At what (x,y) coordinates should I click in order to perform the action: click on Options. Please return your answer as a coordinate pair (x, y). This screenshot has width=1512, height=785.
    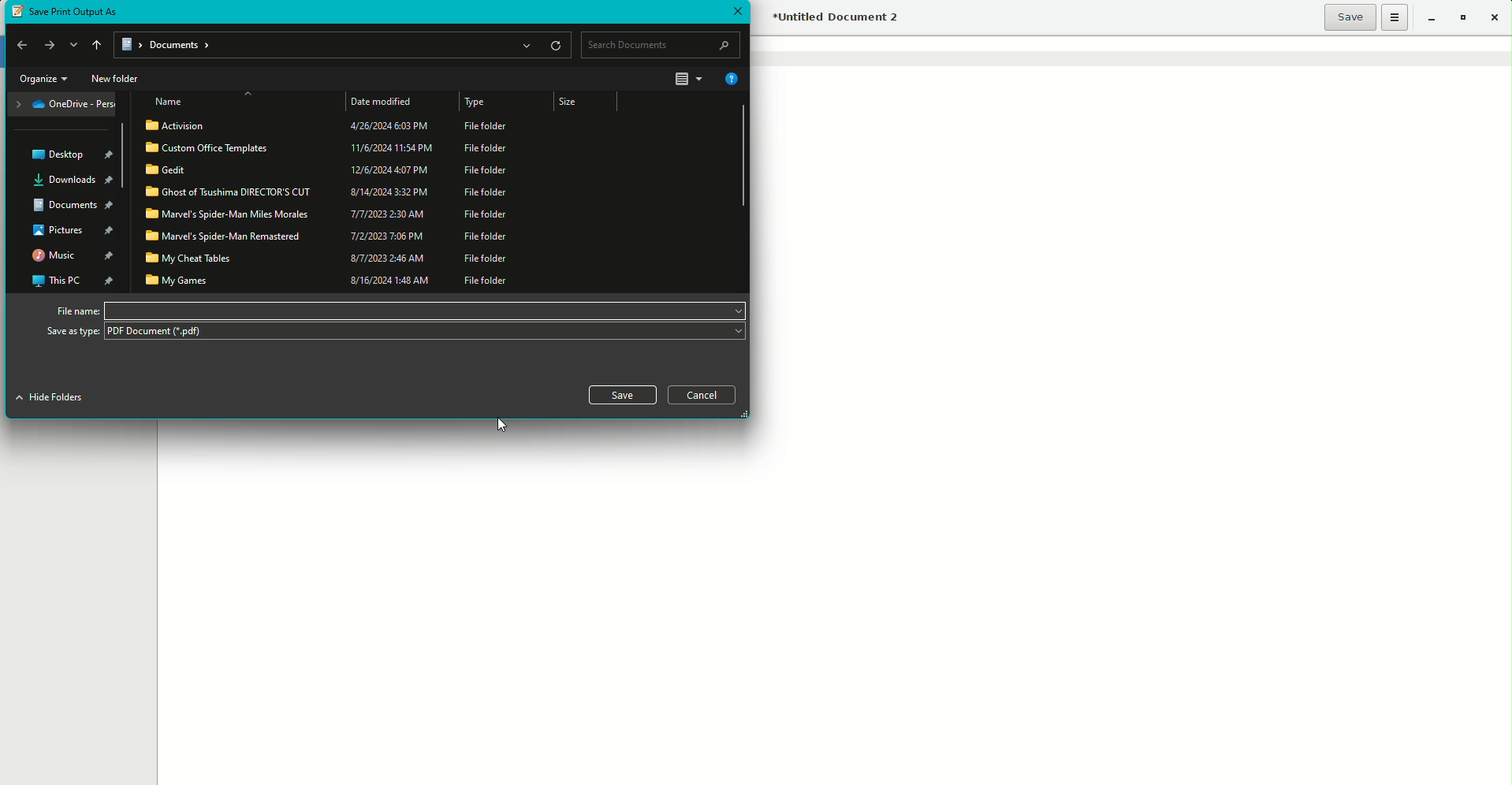
    Looking at the image, I should click on (1395, 17).